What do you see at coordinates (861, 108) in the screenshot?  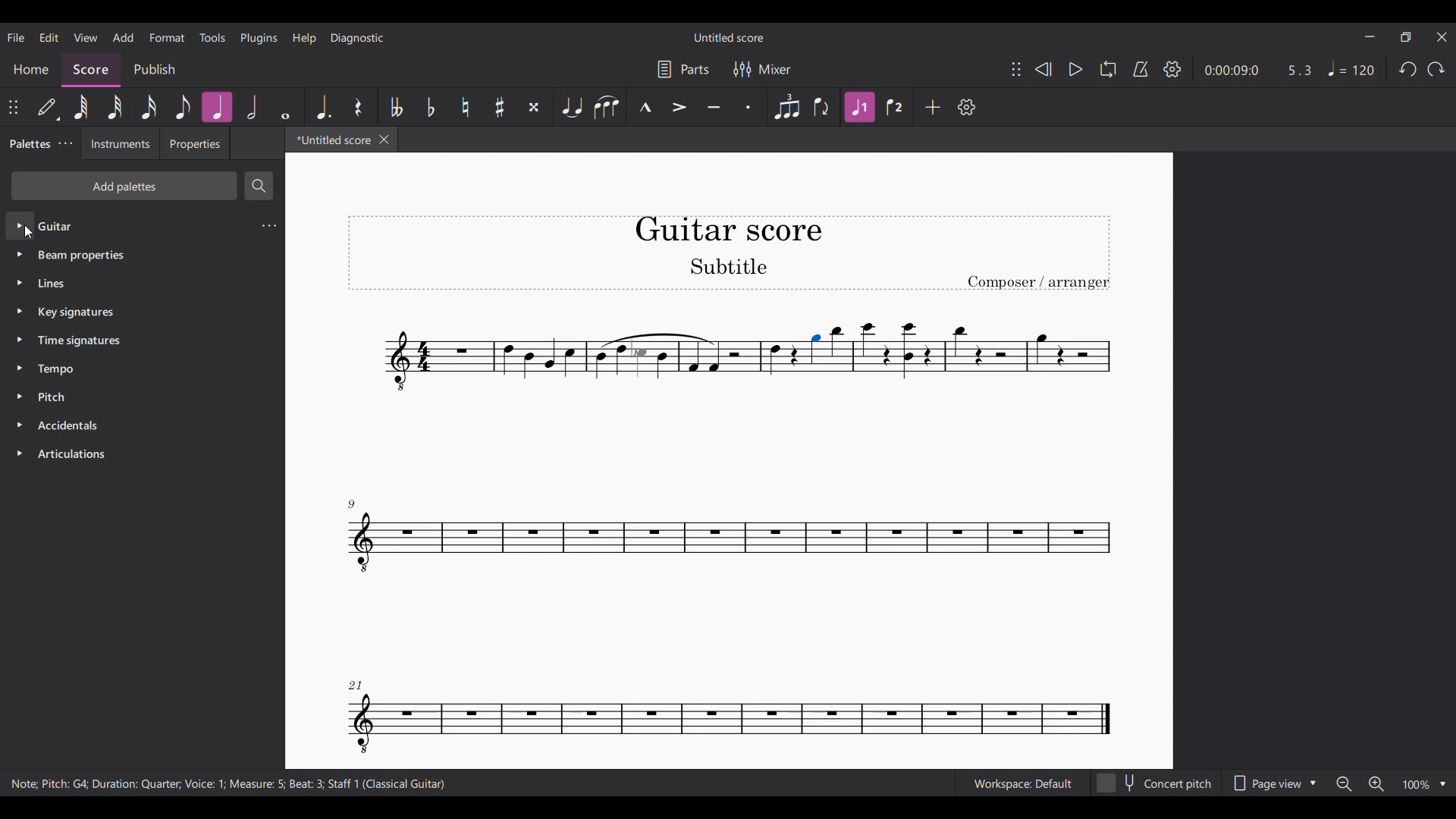 I see `Highlighted after current selection` at bounding box center [861, 108].